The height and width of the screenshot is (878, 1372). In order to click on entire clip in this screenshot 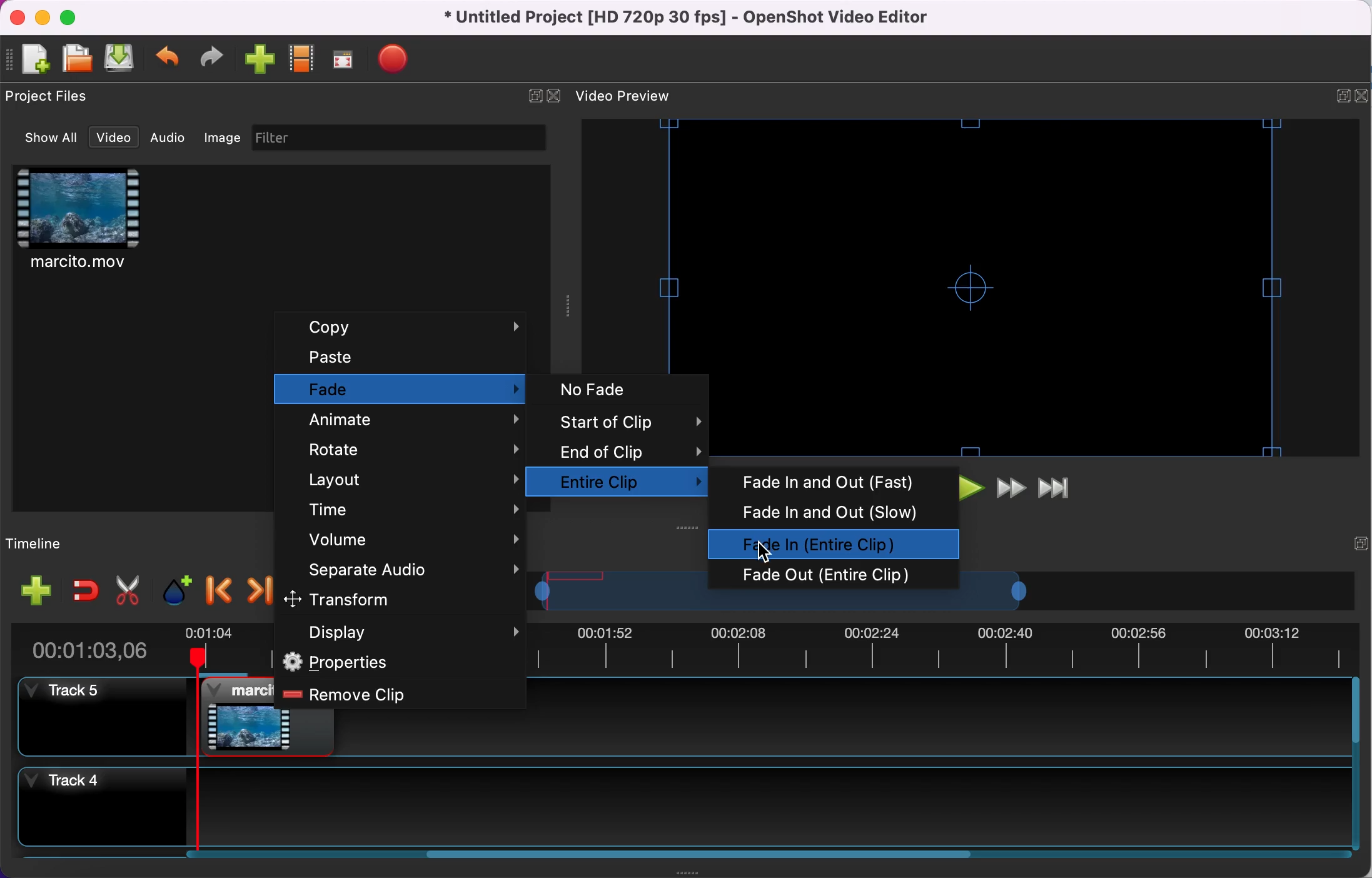, I will do `click(636, 479)`.